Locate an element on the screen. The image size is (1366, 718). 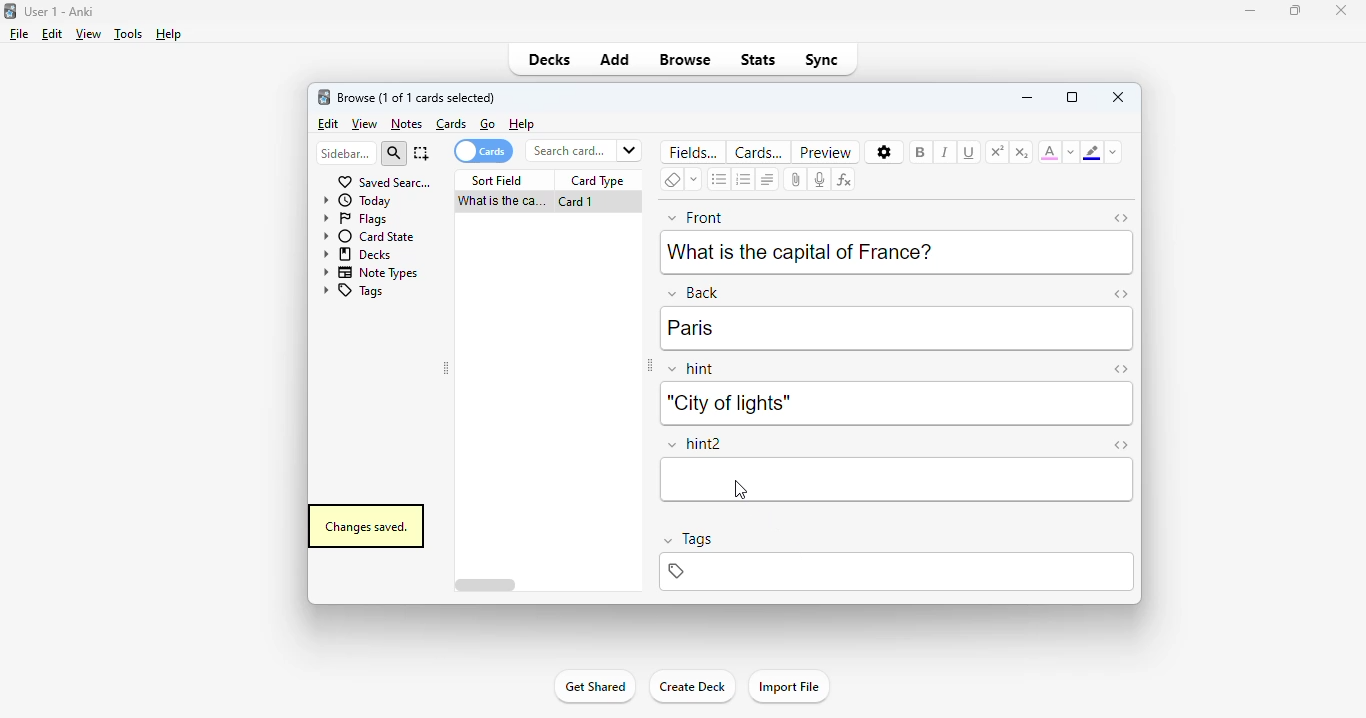
browse is located at coordinates (685, 59).